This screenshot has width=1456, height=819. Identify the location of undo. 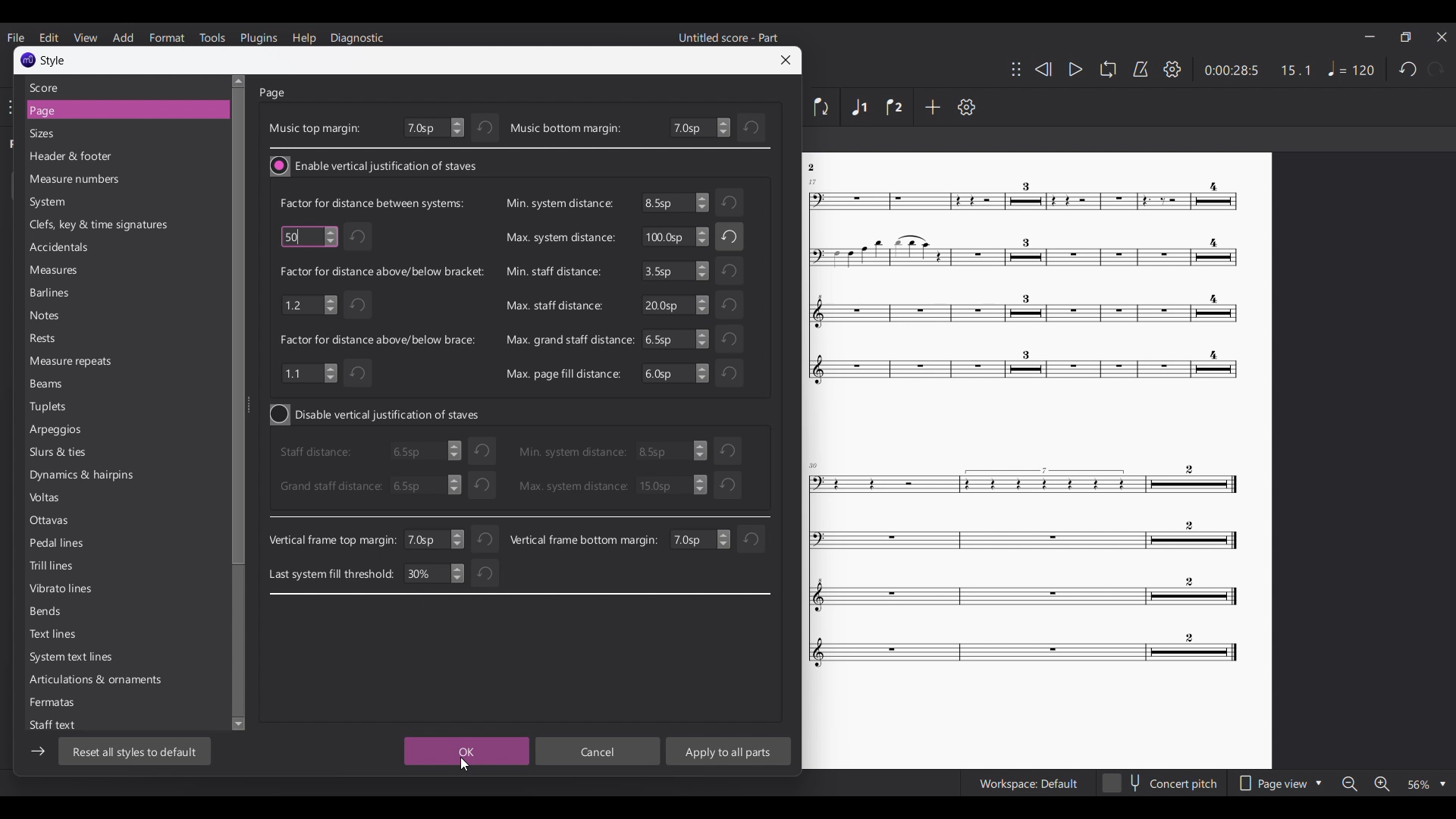
(482, 450).